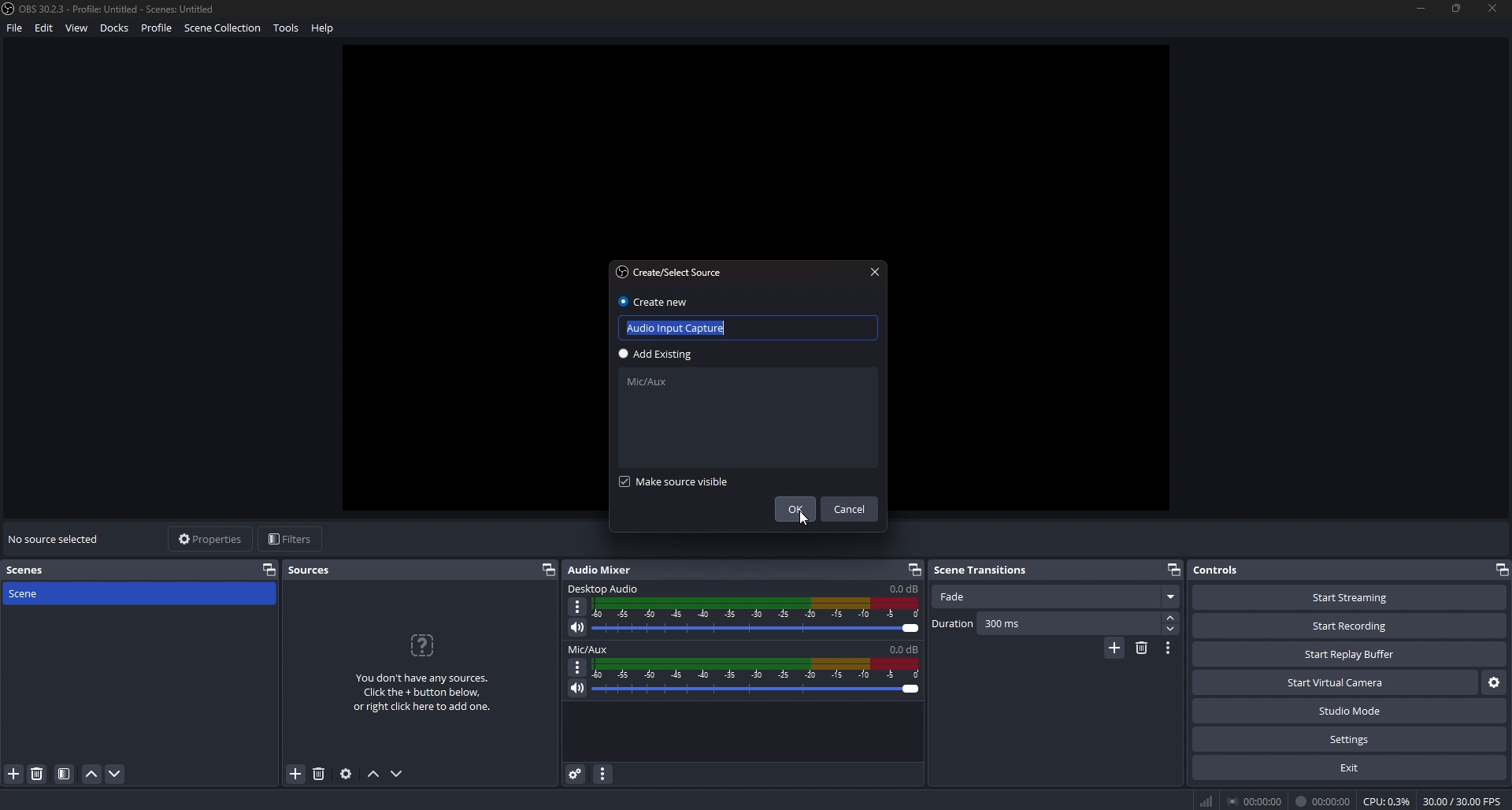 Image resolution: width=1512 pixels, height=810 pixels. I want to click on pop out, so click(1174, 568).